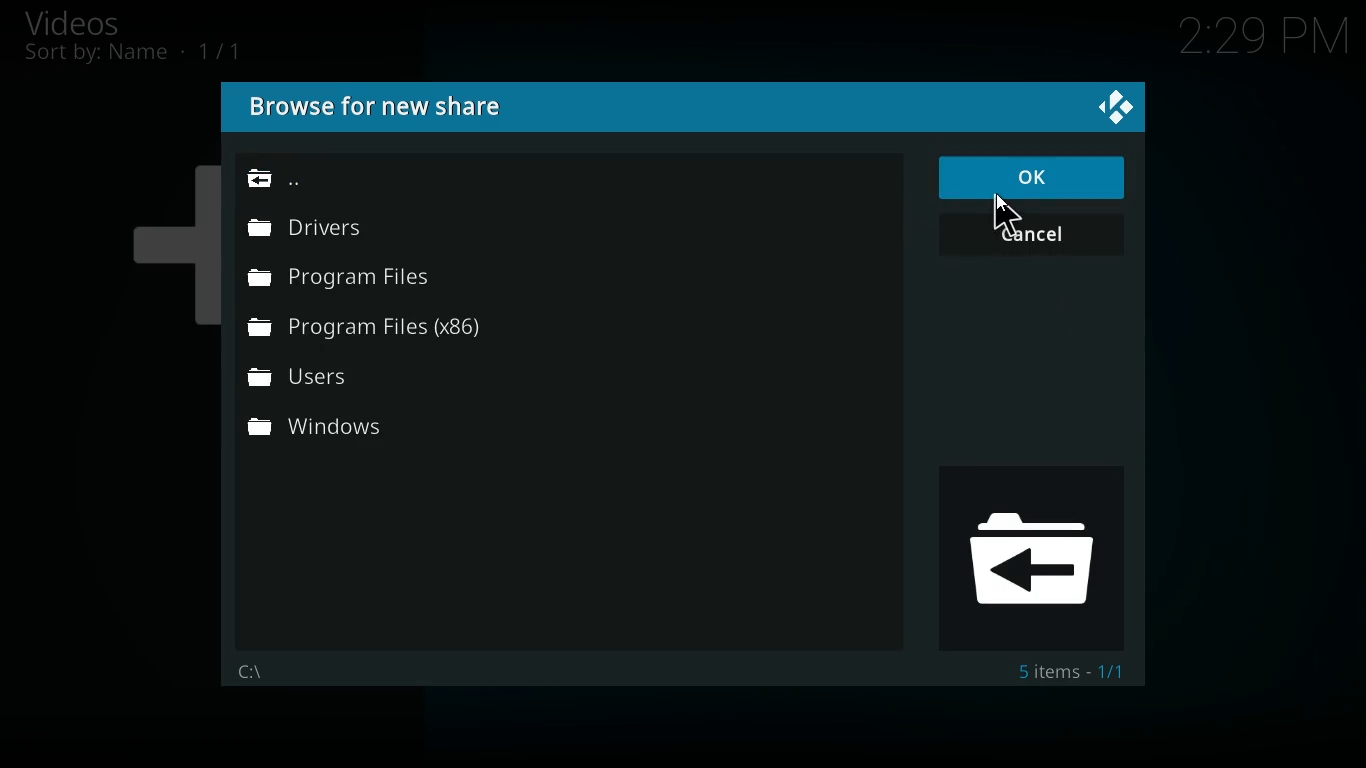 The width and height of the screenshot is (1366, 768). What do you see at coordinates (361, 427) in the screenshot?
I see `windows` at bounding box center [361, 427].